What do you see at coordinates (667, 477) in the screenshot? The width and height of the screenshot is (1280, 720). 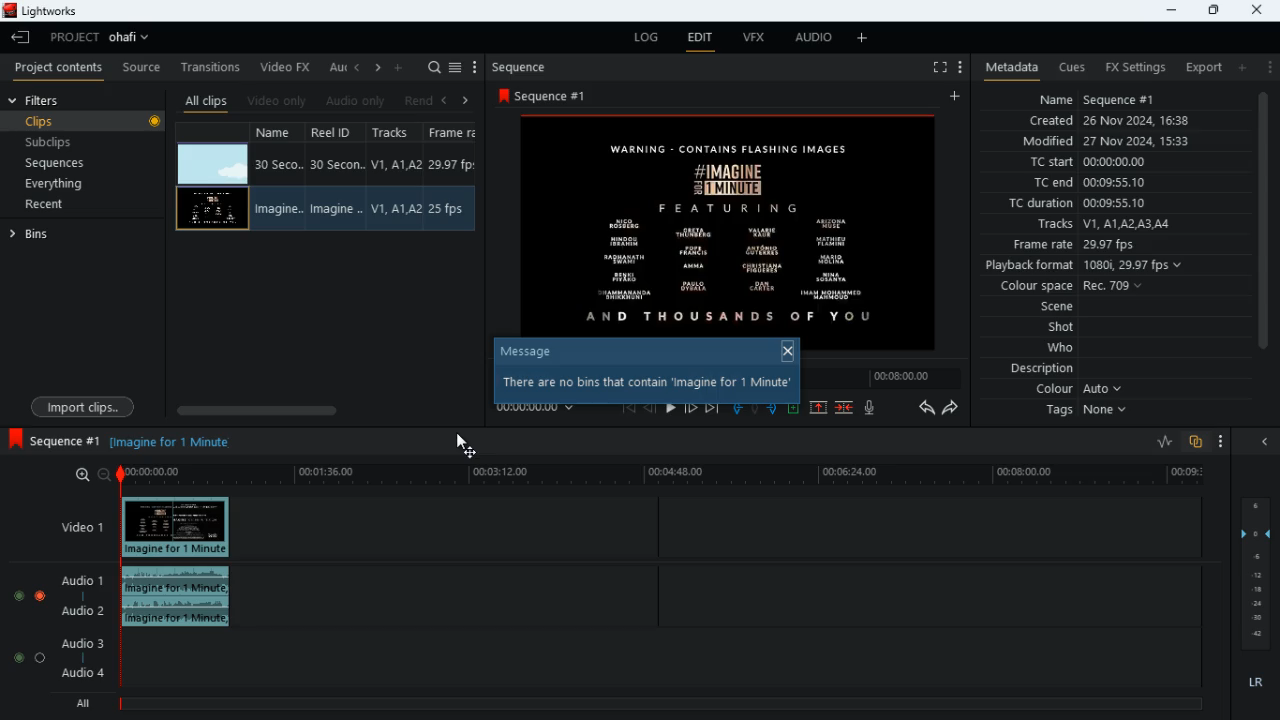 I see `timeline` at bounding box center [667, 477].